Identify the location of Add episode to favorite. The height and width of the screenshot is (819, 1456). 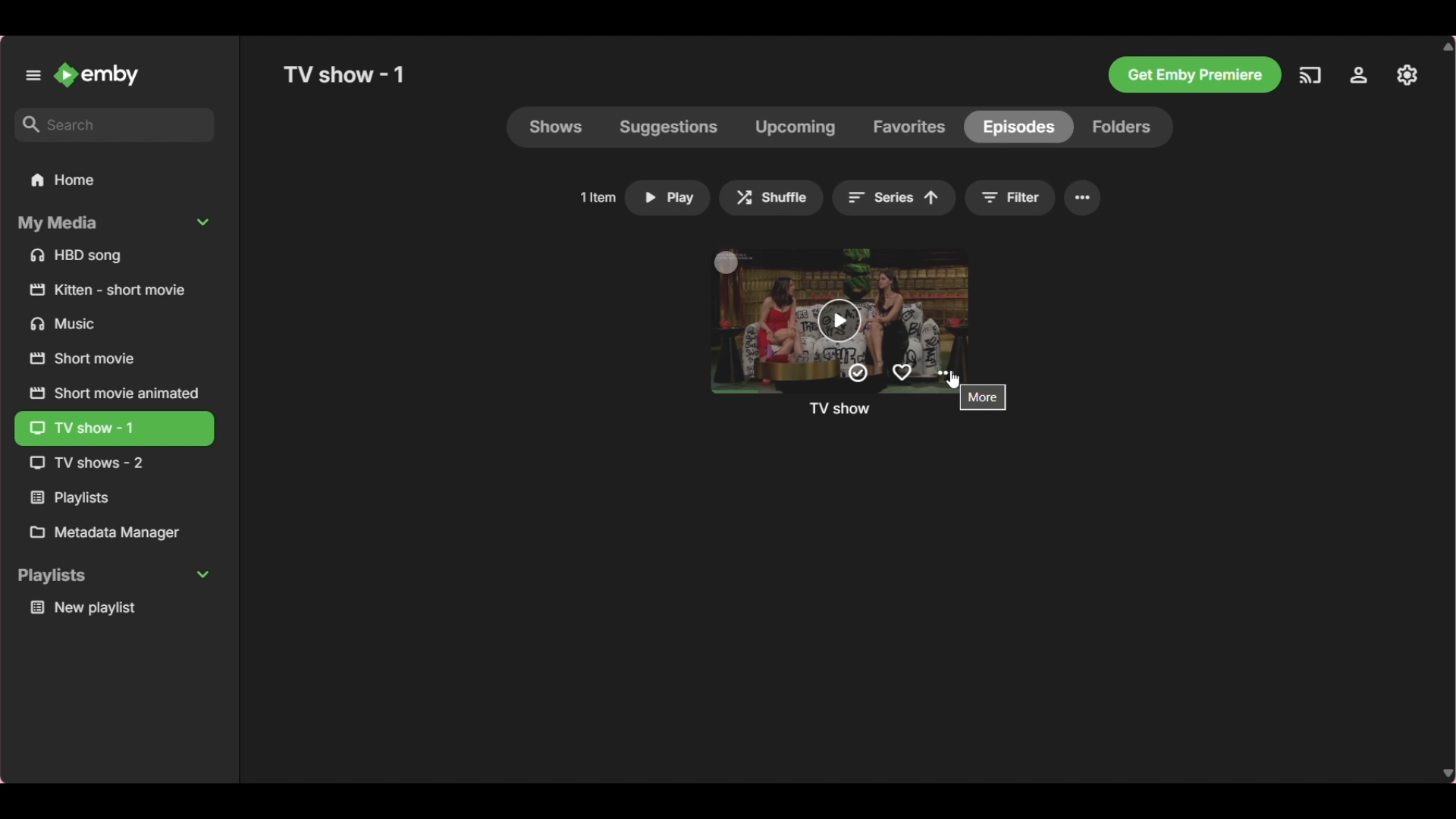
(902, 373).